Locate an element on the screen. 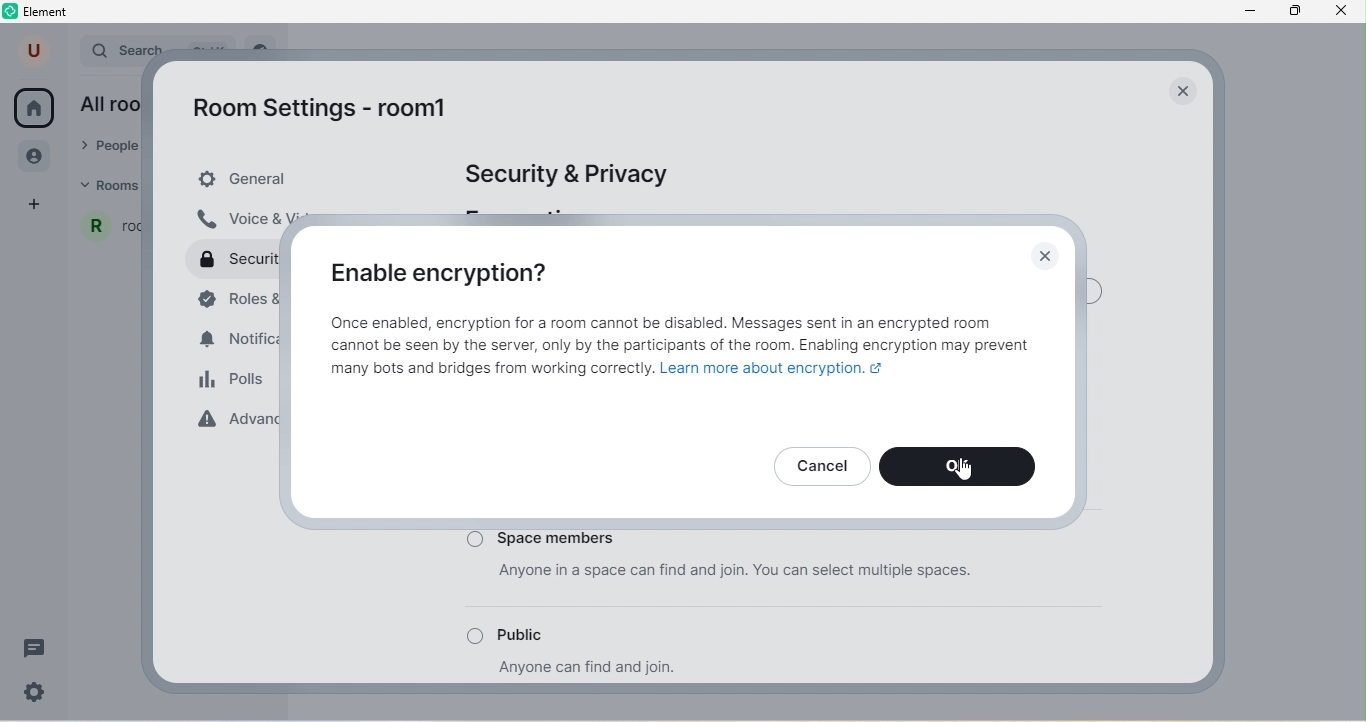 This screenshot has height=722, width=1366. cursor movement is located at coordinates (965, 467).